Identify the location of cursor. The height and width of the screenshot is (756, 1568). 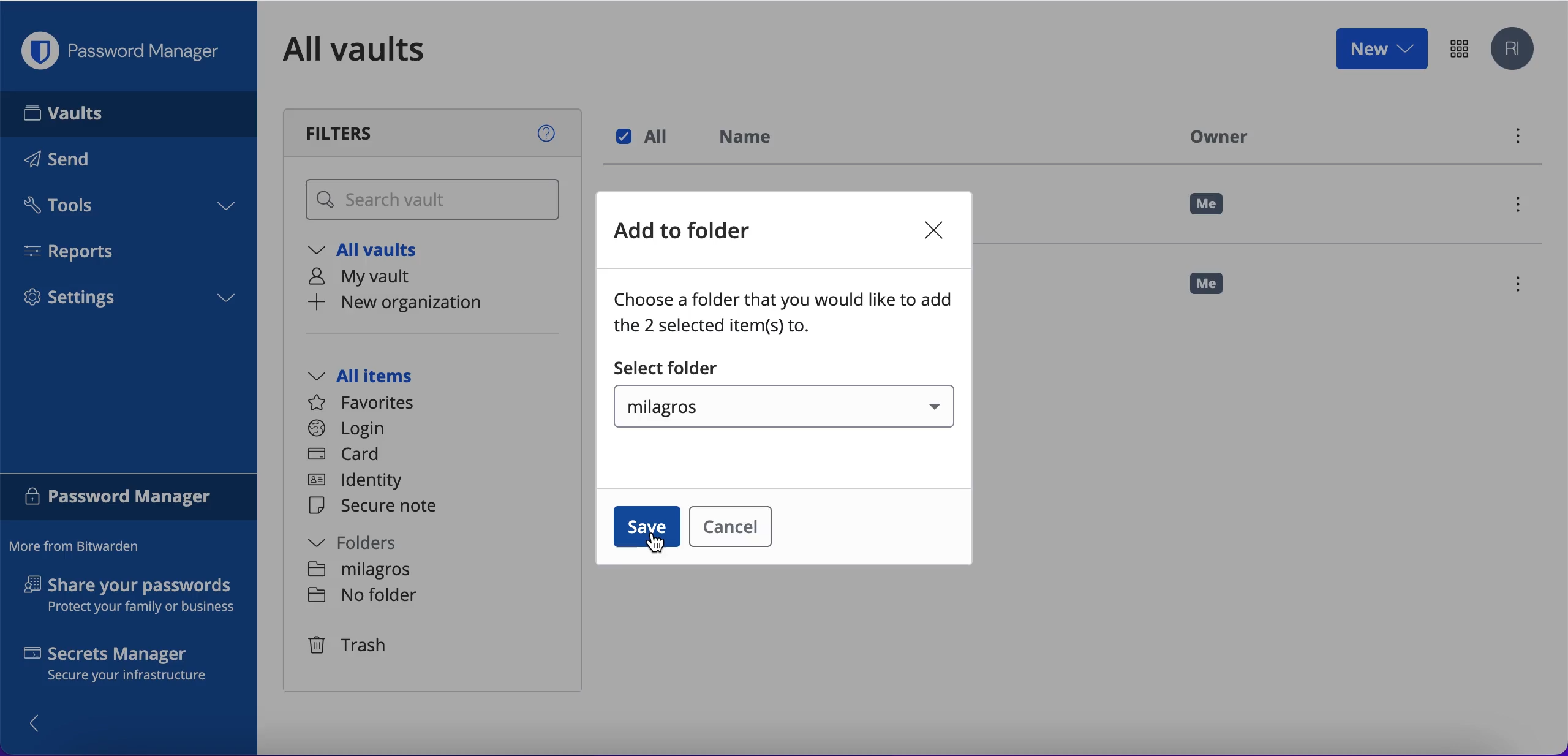
(661, 546).